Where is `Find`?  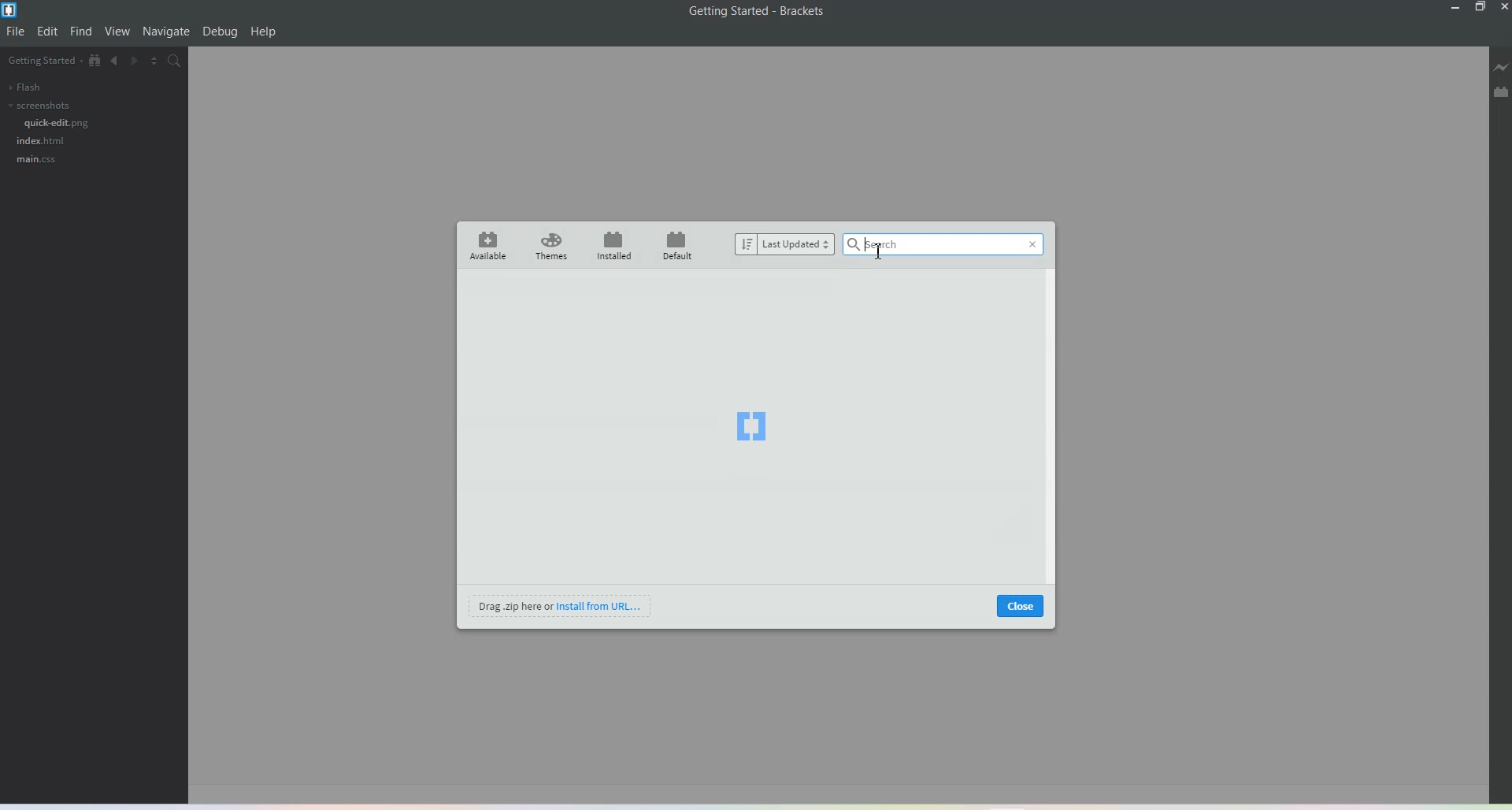 Find is located at coordinates (81, 32).